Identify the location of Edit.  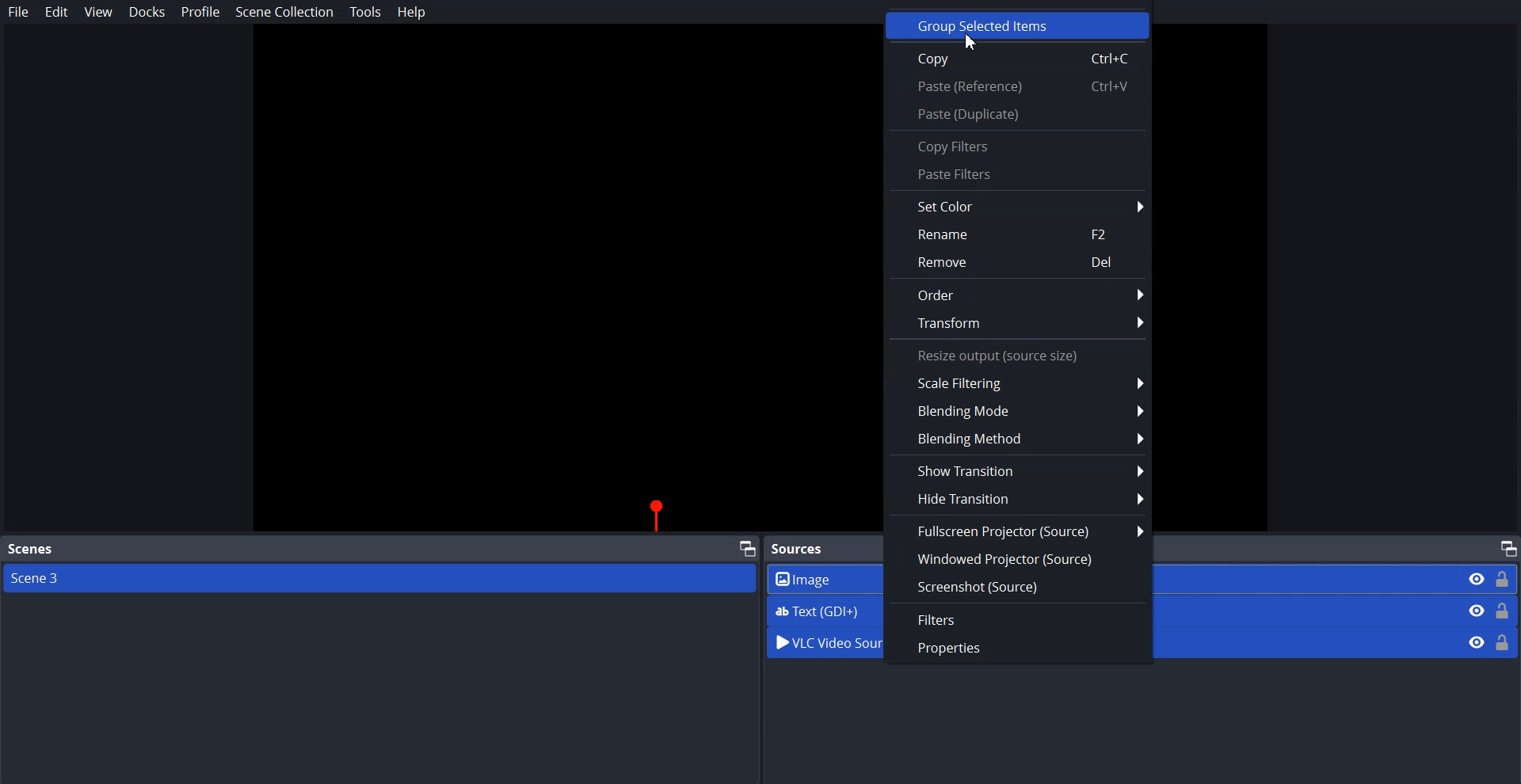
(57, 12).